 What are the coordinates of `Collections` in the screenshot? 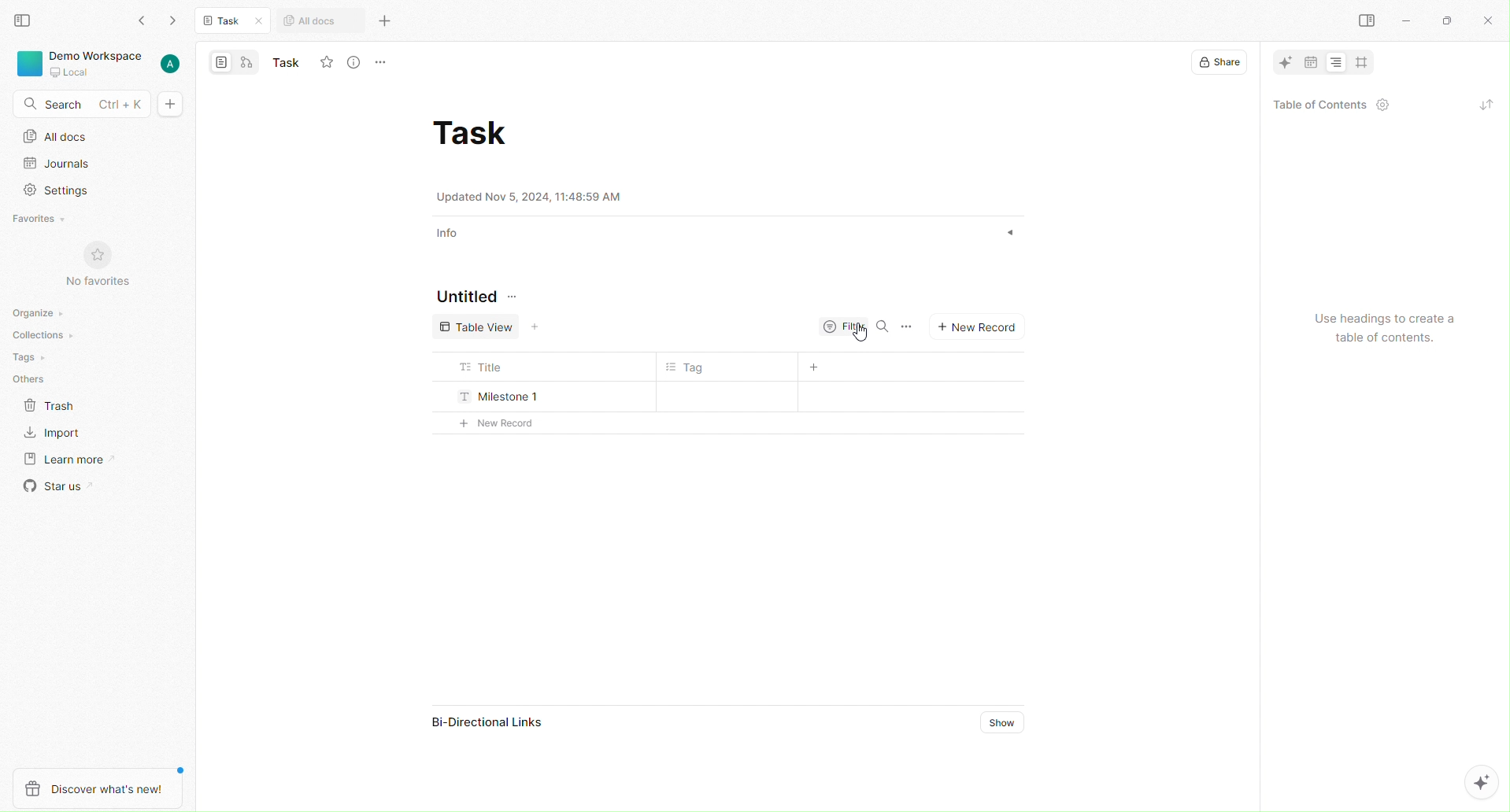 It's located at (40, 334).